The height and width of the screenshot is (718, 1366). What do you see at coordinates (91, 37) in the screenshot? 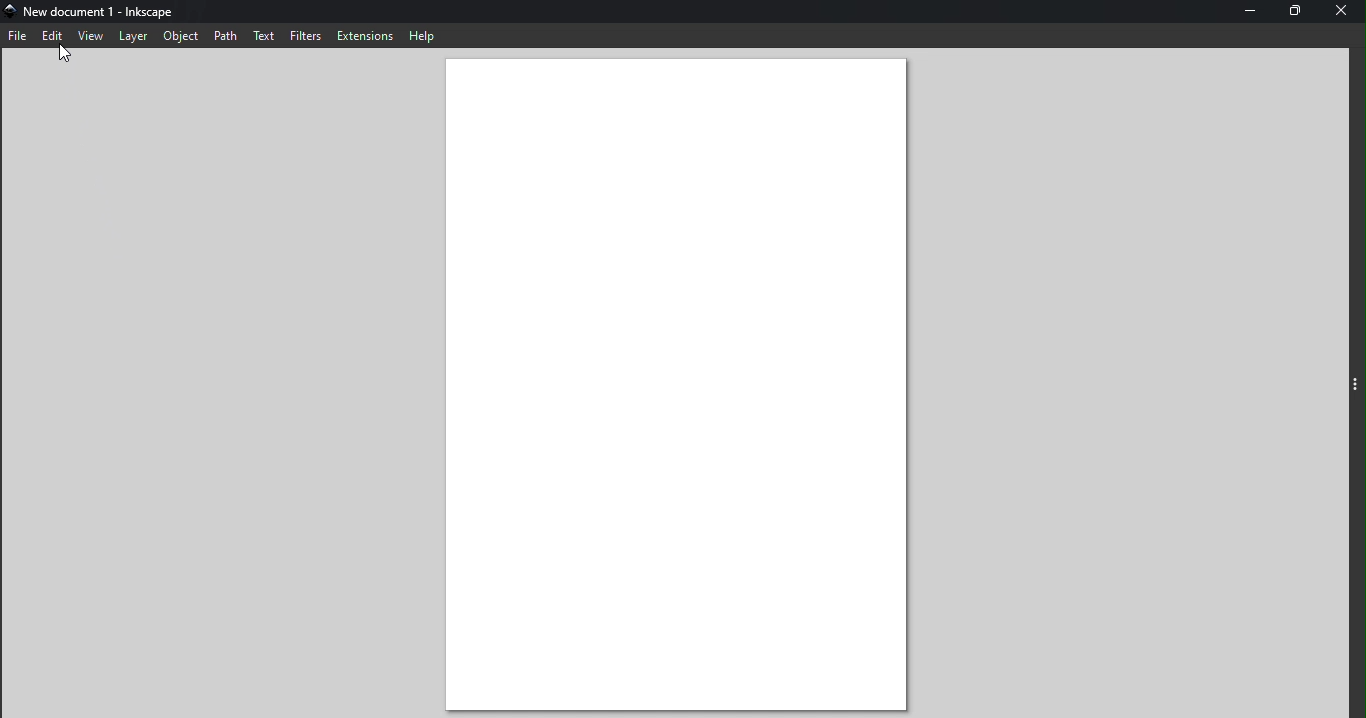
I see `View` at bounding box center [91, 37].